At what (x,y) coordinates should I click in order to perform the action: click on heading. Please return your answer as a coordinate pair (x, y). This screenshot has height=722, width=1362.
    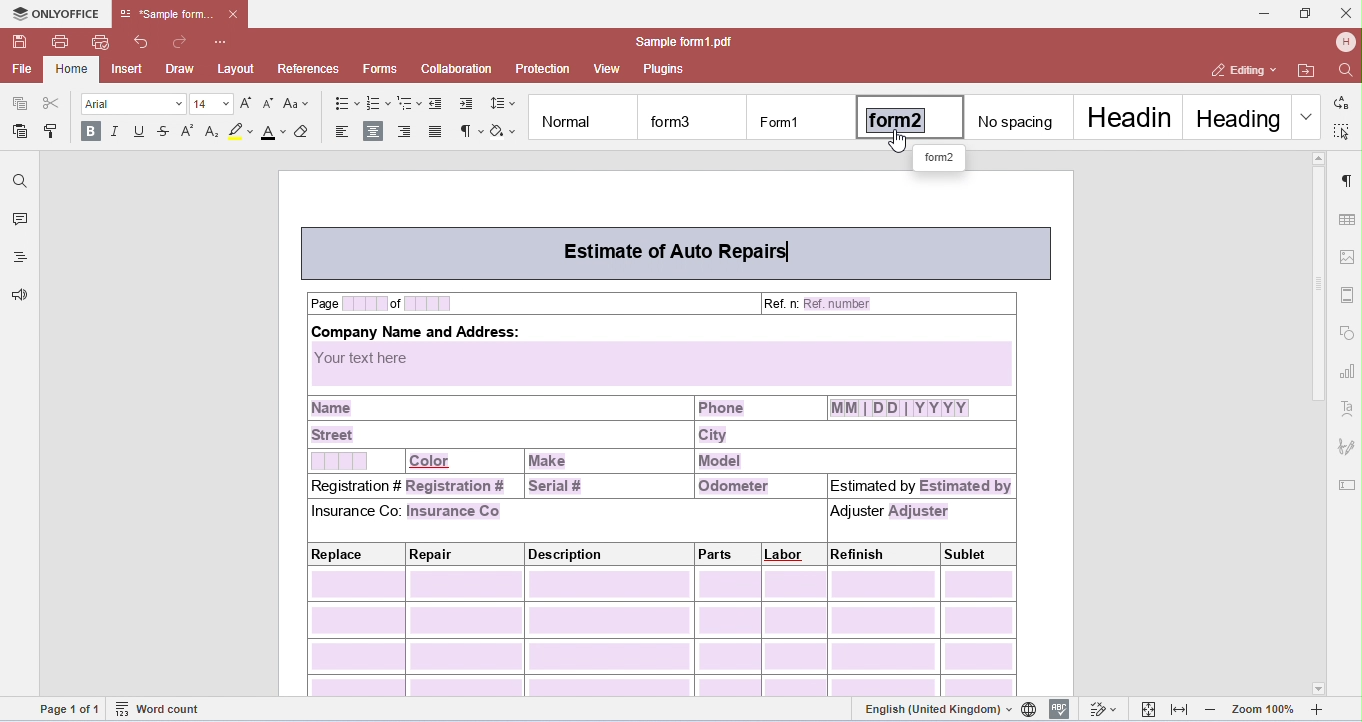
    Looking at the image, I should click on (1130, 117).